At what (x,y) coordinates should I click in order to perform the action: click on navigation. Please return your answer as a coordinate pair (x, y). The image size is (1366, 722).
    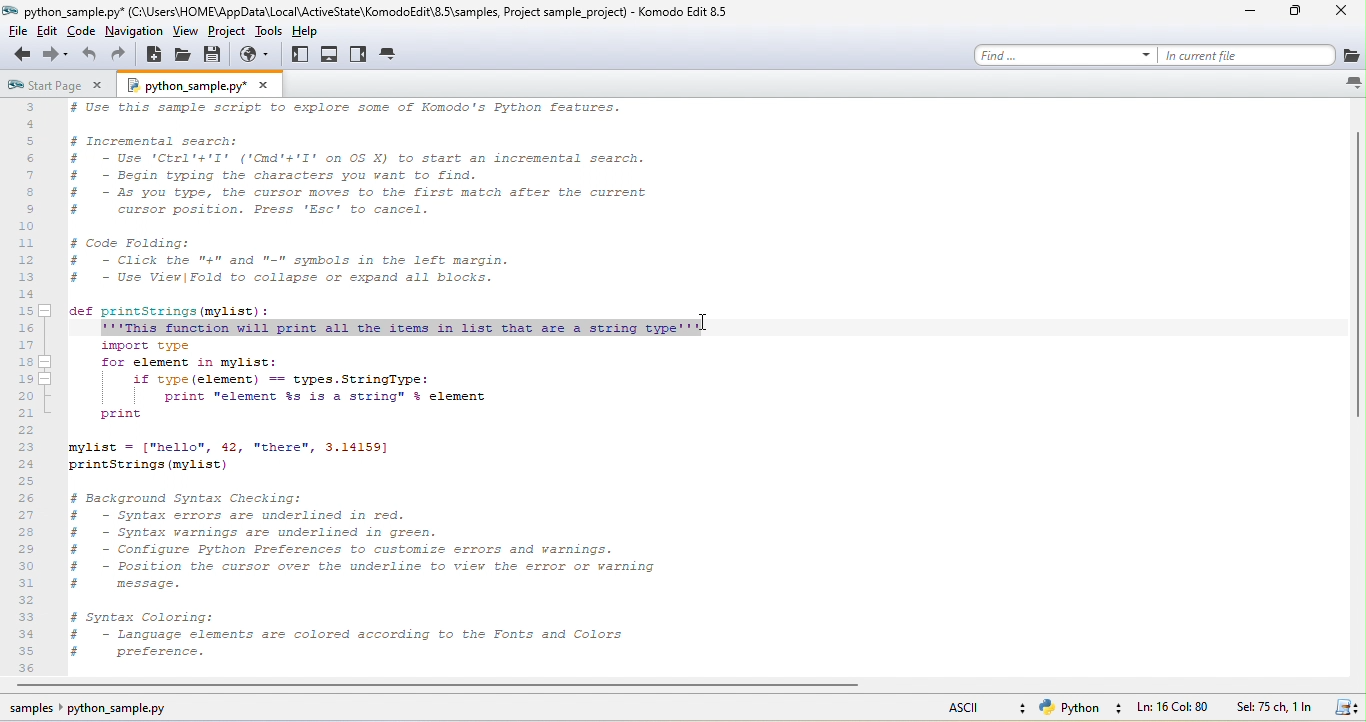
    Looking at the image, I should click on (134, 31).